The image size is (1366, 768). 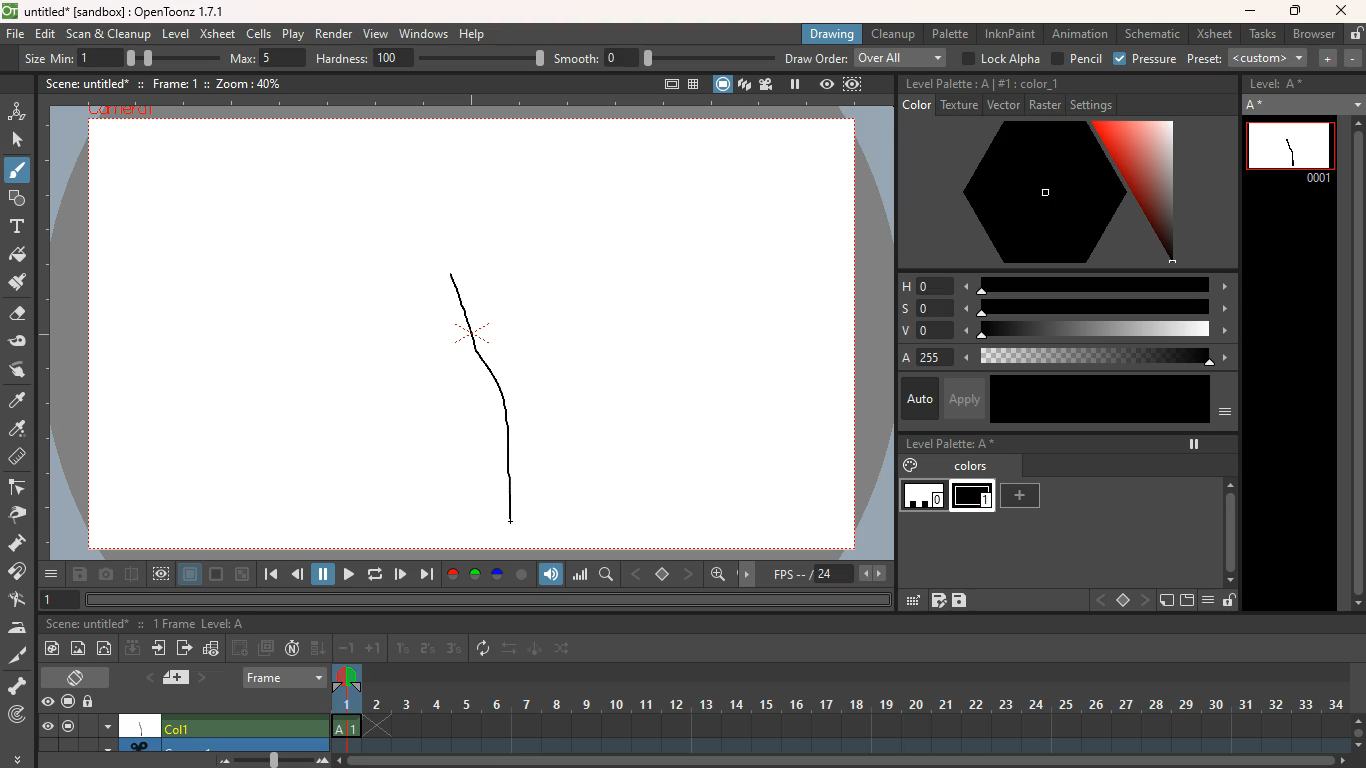 I want to click on forms, so click(x=16, y=199).